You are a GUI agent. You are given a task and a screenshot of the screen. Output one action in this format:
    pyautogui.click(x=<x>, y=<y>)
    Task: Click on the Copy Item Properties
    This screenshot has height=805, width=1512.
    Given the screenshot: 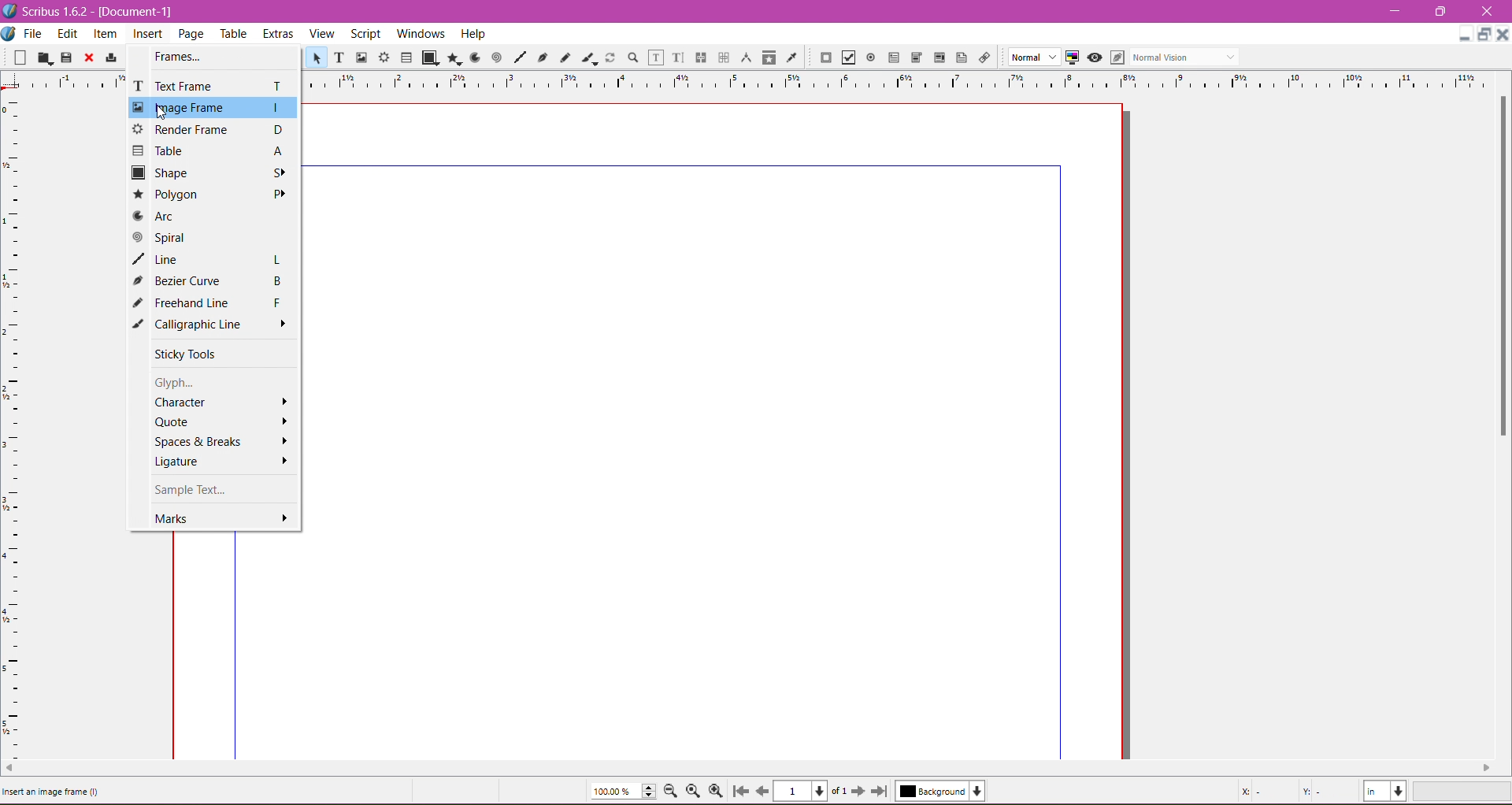 What is the action you would take?
    pyautogui.click(x=769, y=57)
    